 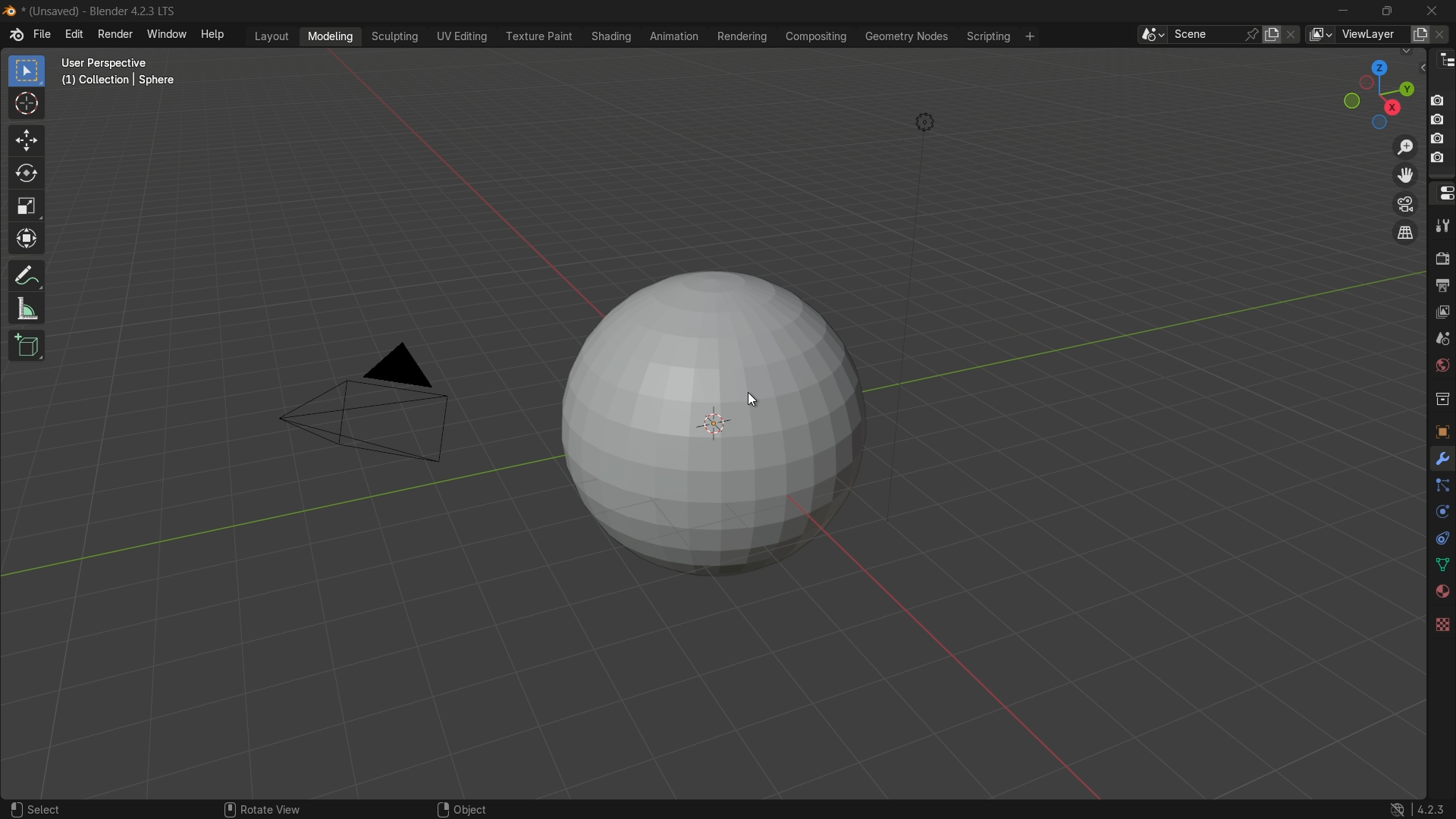 What do you see at coordinates (702, 428) in the screenshot?
I see `sphere` at bounding box center [702, 428].